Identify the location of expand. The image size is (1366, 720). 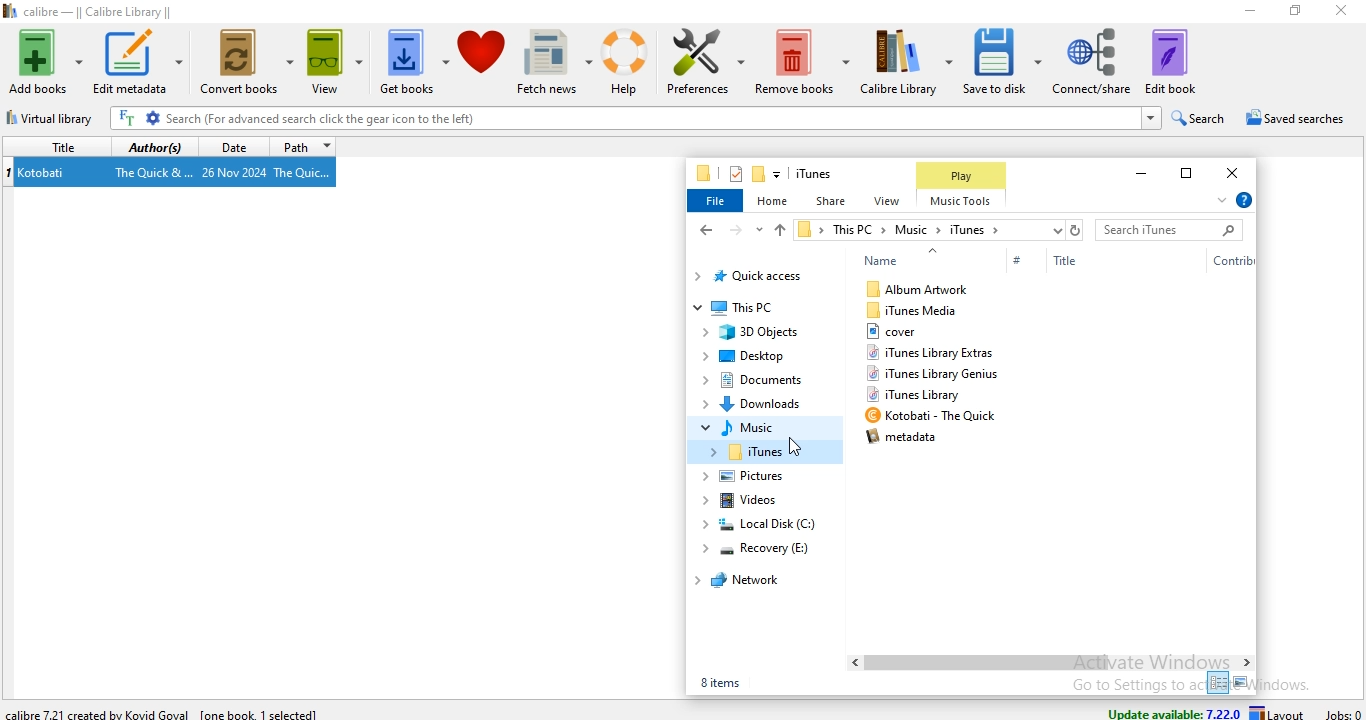
(1218, 203).